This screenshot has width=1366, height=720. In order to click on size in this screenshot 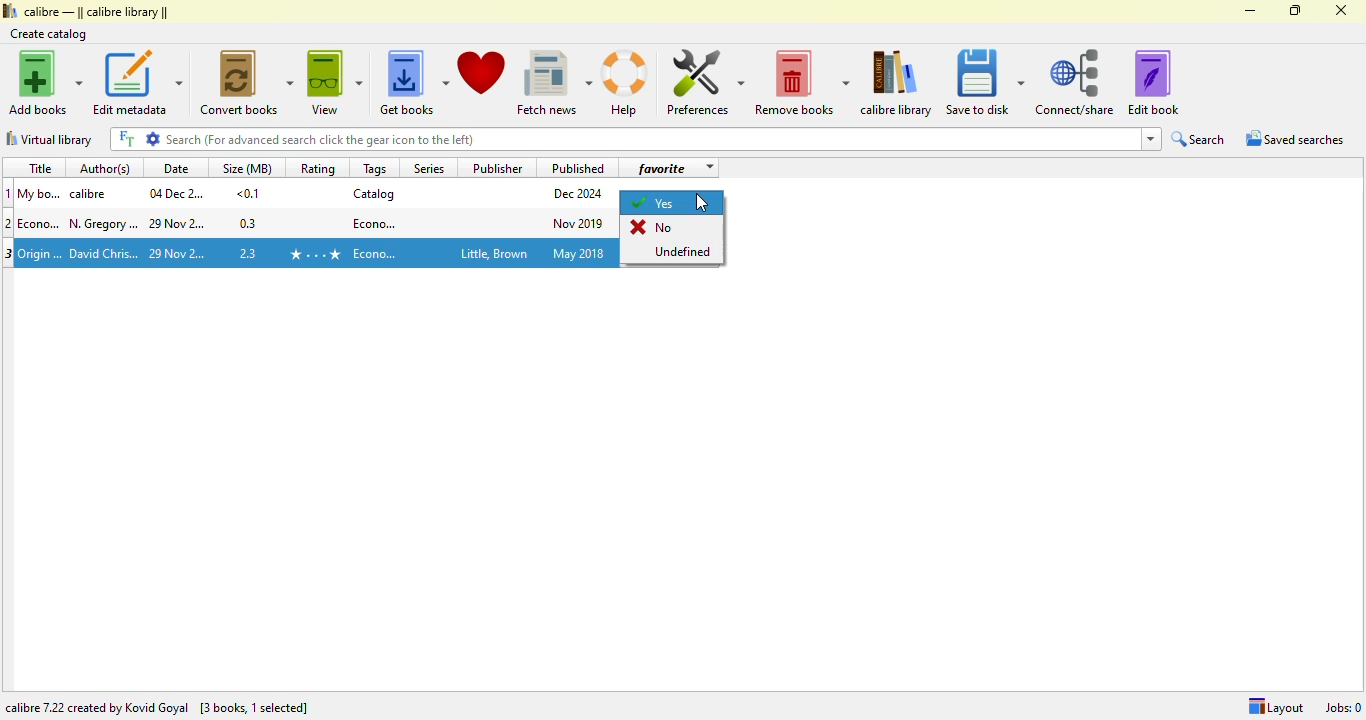, I will do `click(250, 251)`.